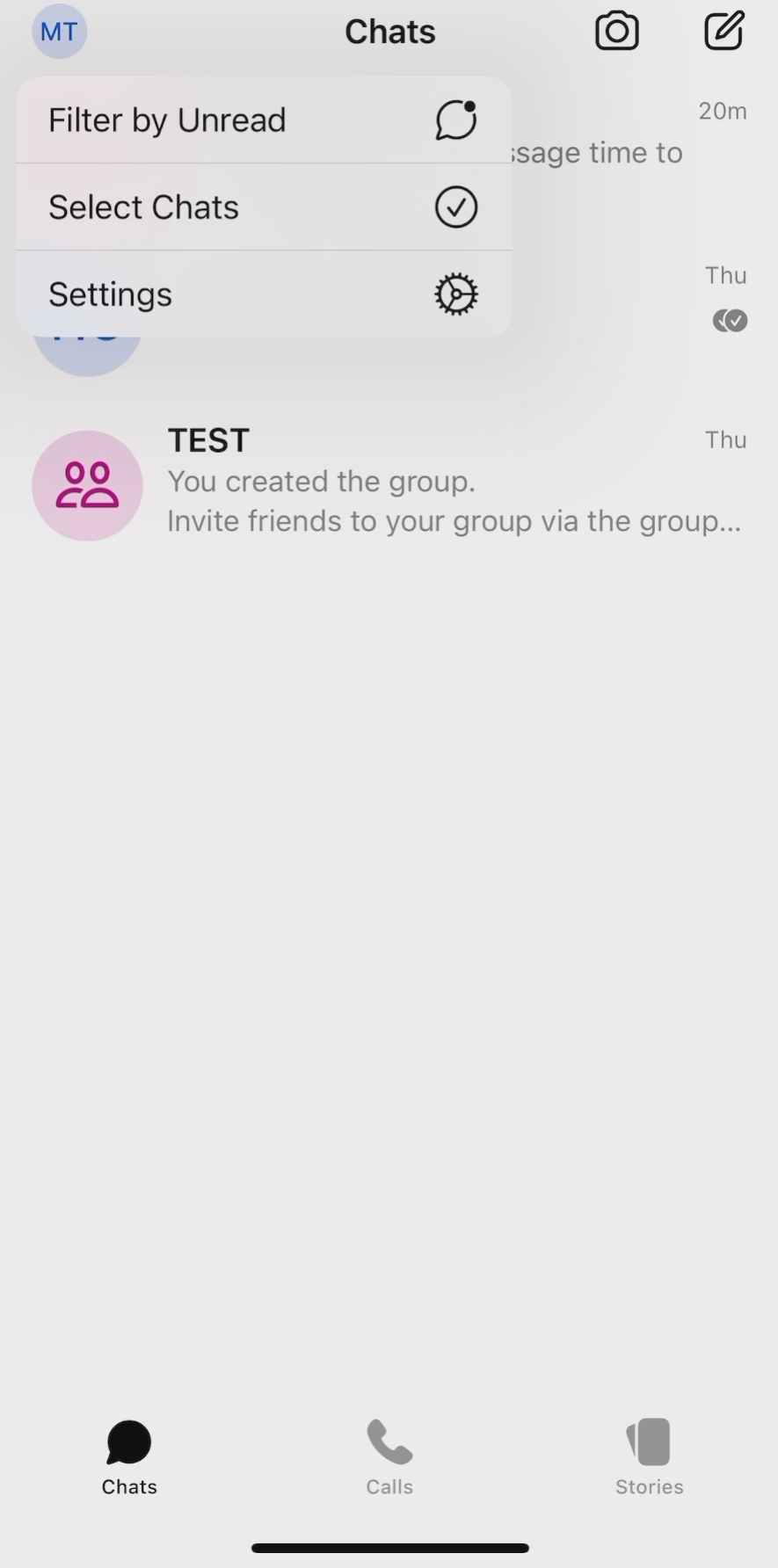 The width and height of the screenshot is (778, 1568). Describe the element at coordinates (723, 111) in the screenshot. I see `20m` at that location.